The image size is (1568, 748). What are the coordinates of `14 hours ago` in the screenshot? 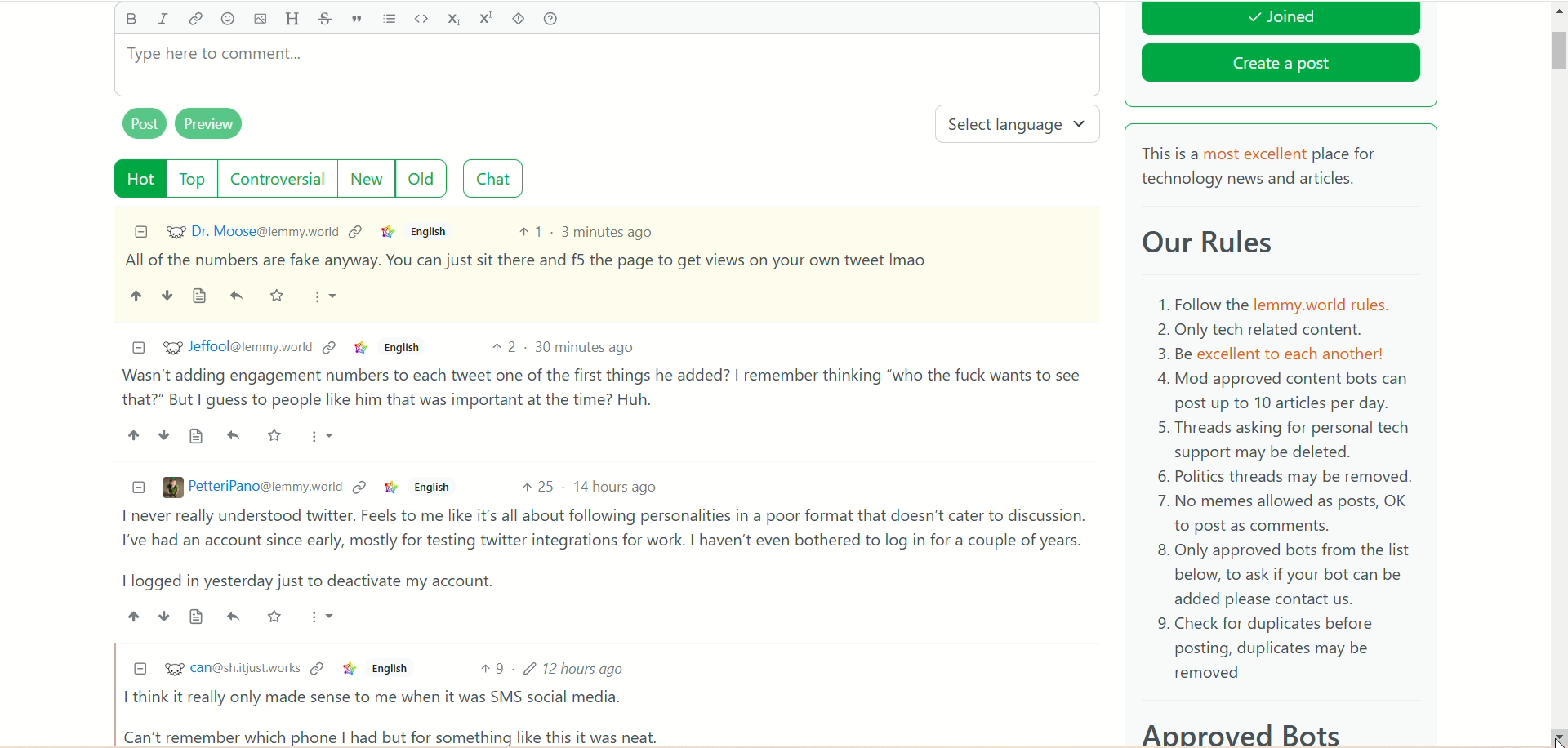 It's located at (617, 487).